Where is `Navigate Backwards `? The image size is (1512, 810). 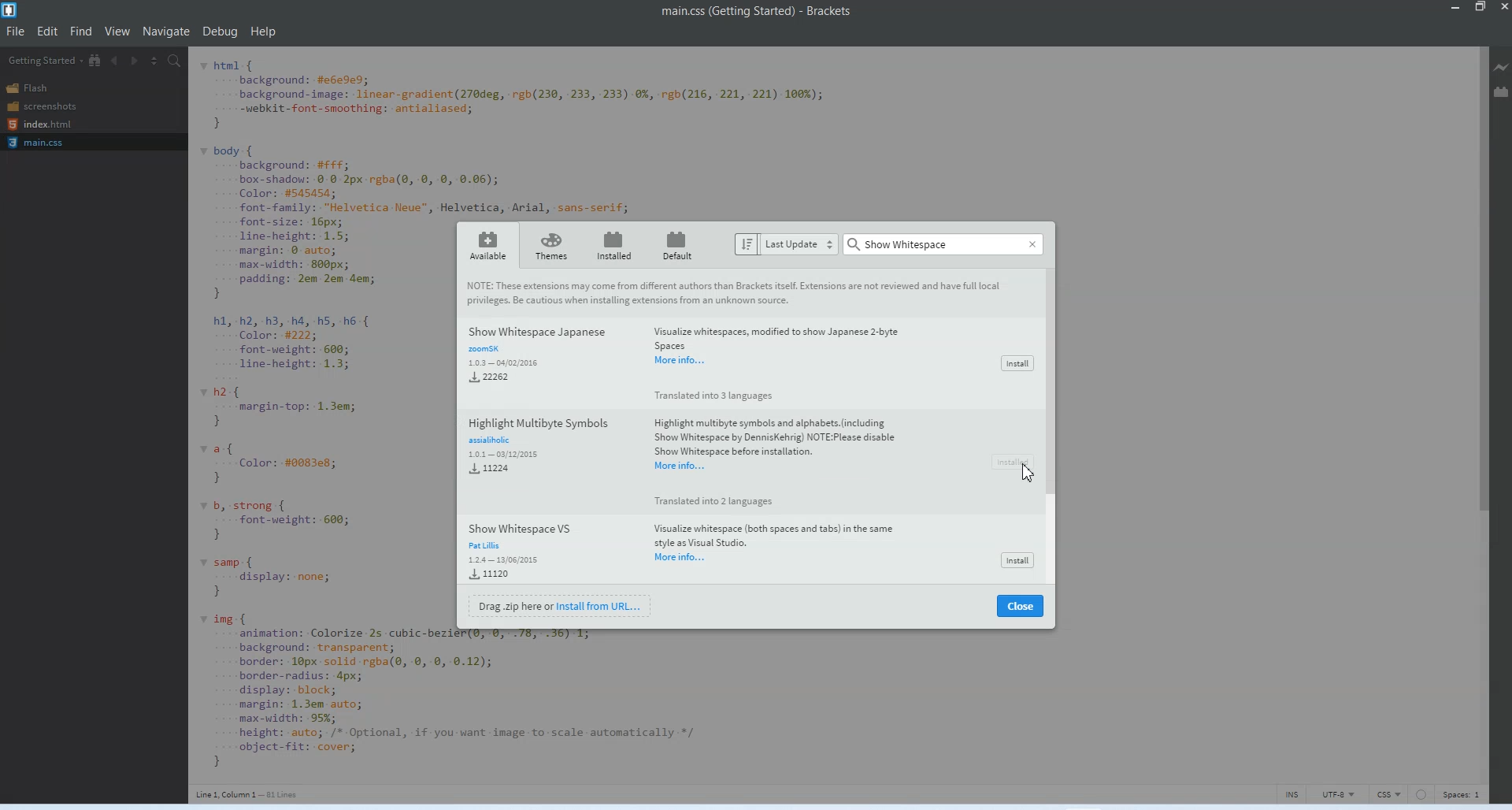 Navigate Backwards  is located at coordinates (114, 60).